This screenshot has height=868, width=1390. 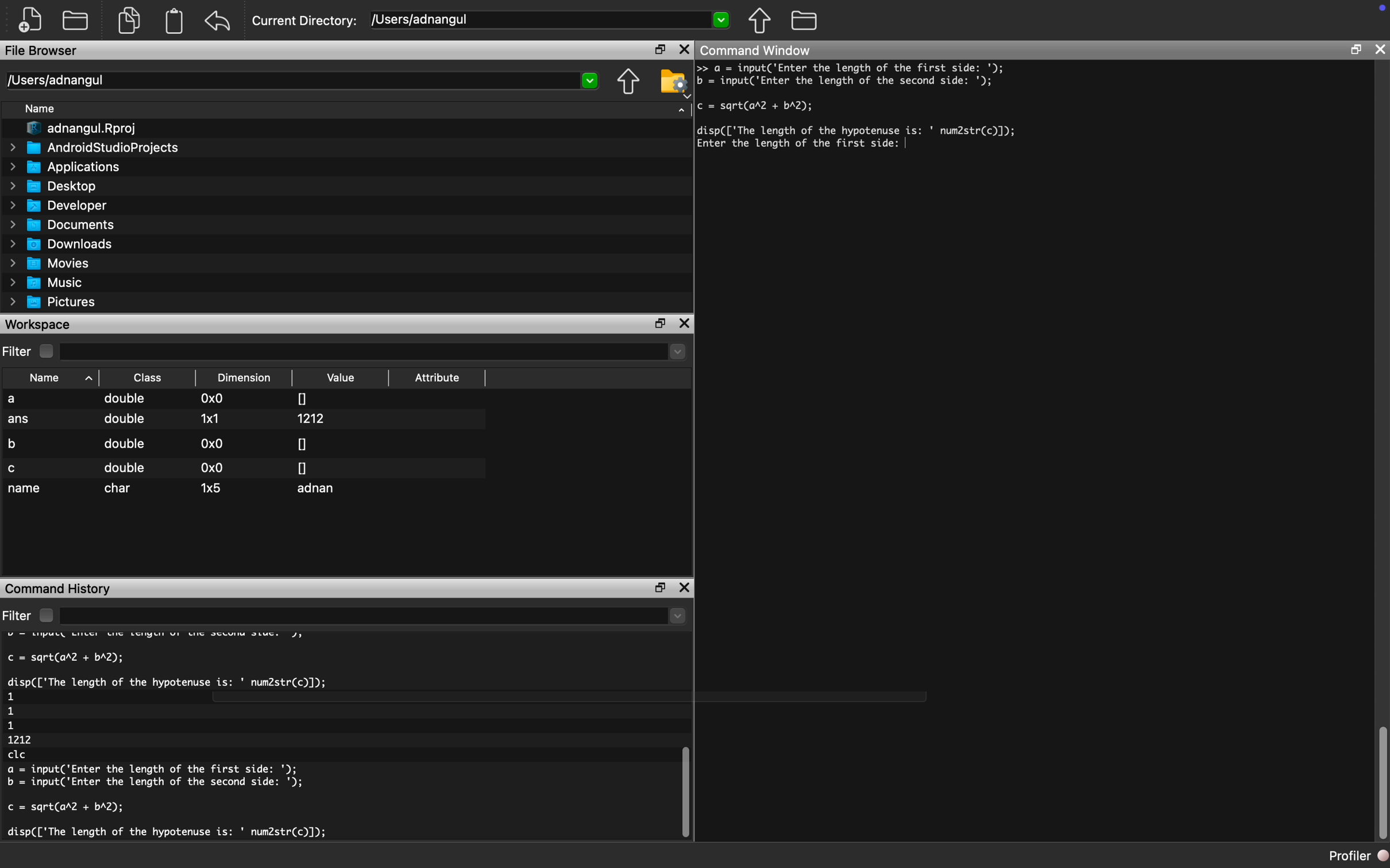 What do you see at coordinates (128, 19) in the screenshot?
I see `documents` at bounding box center [128, 19].